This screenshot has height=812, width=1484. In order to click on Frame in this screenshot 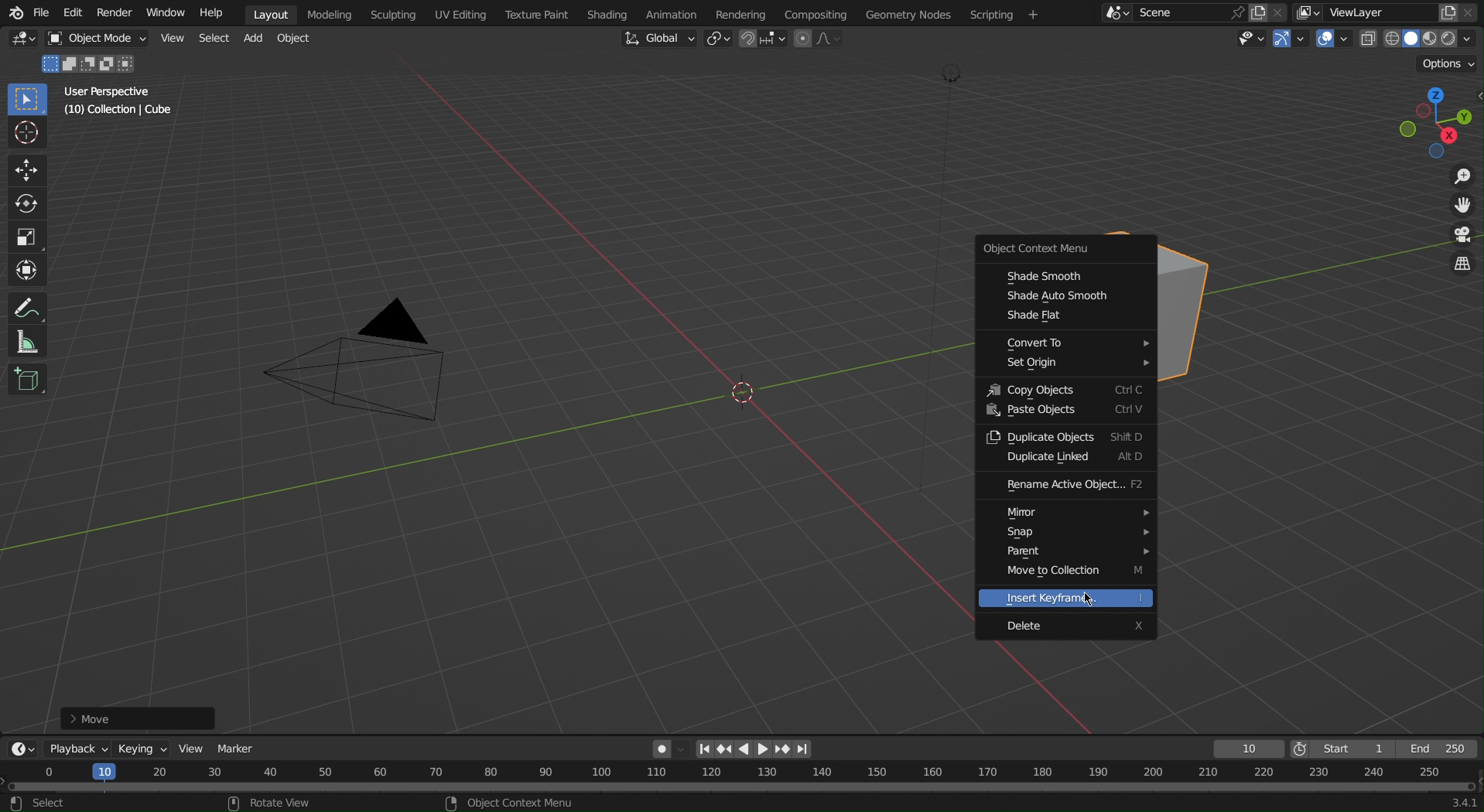, I will do `click(1246, 749)`.